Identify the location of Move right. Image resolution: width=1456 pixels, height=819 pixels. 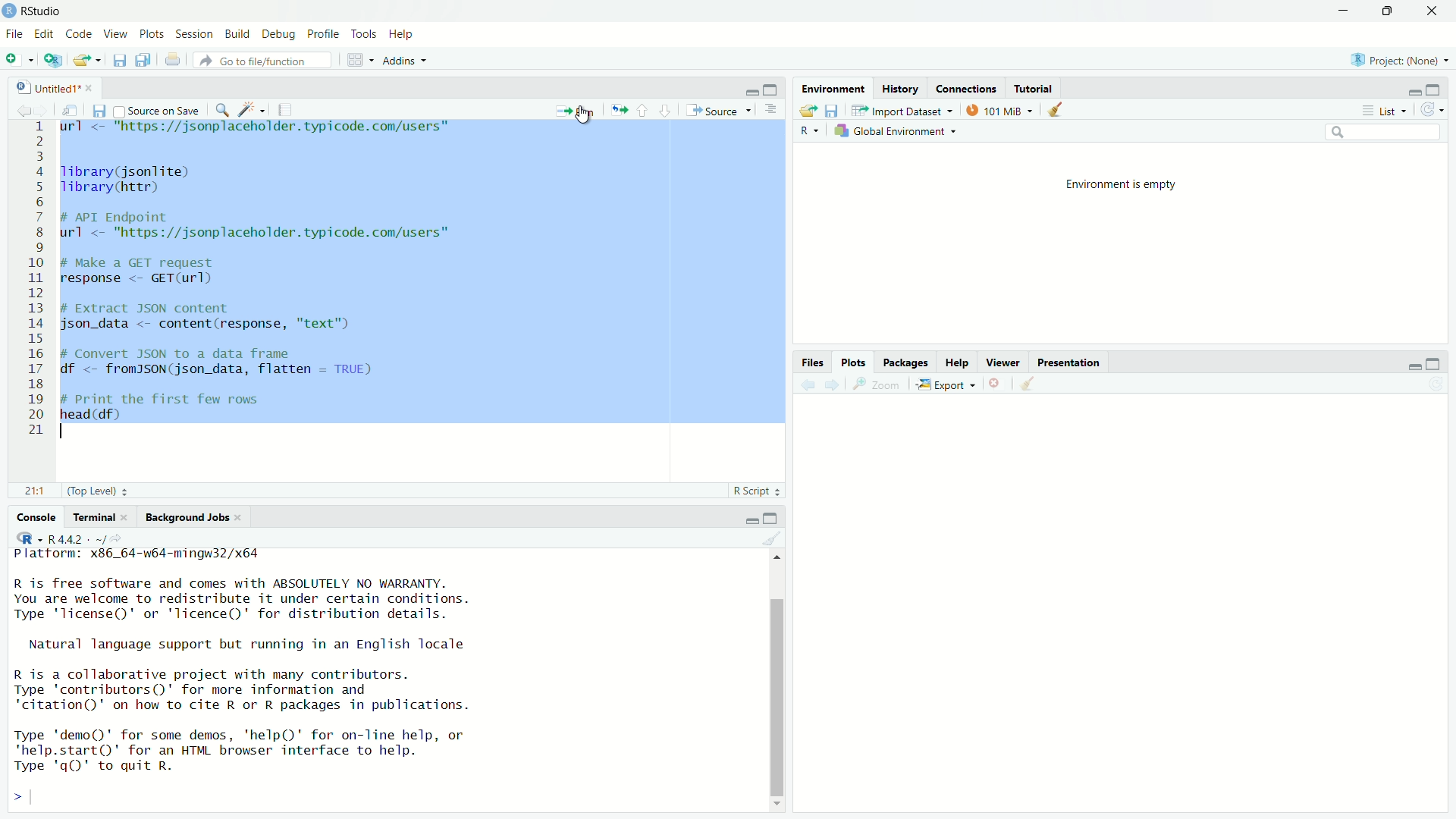
(24, 799).